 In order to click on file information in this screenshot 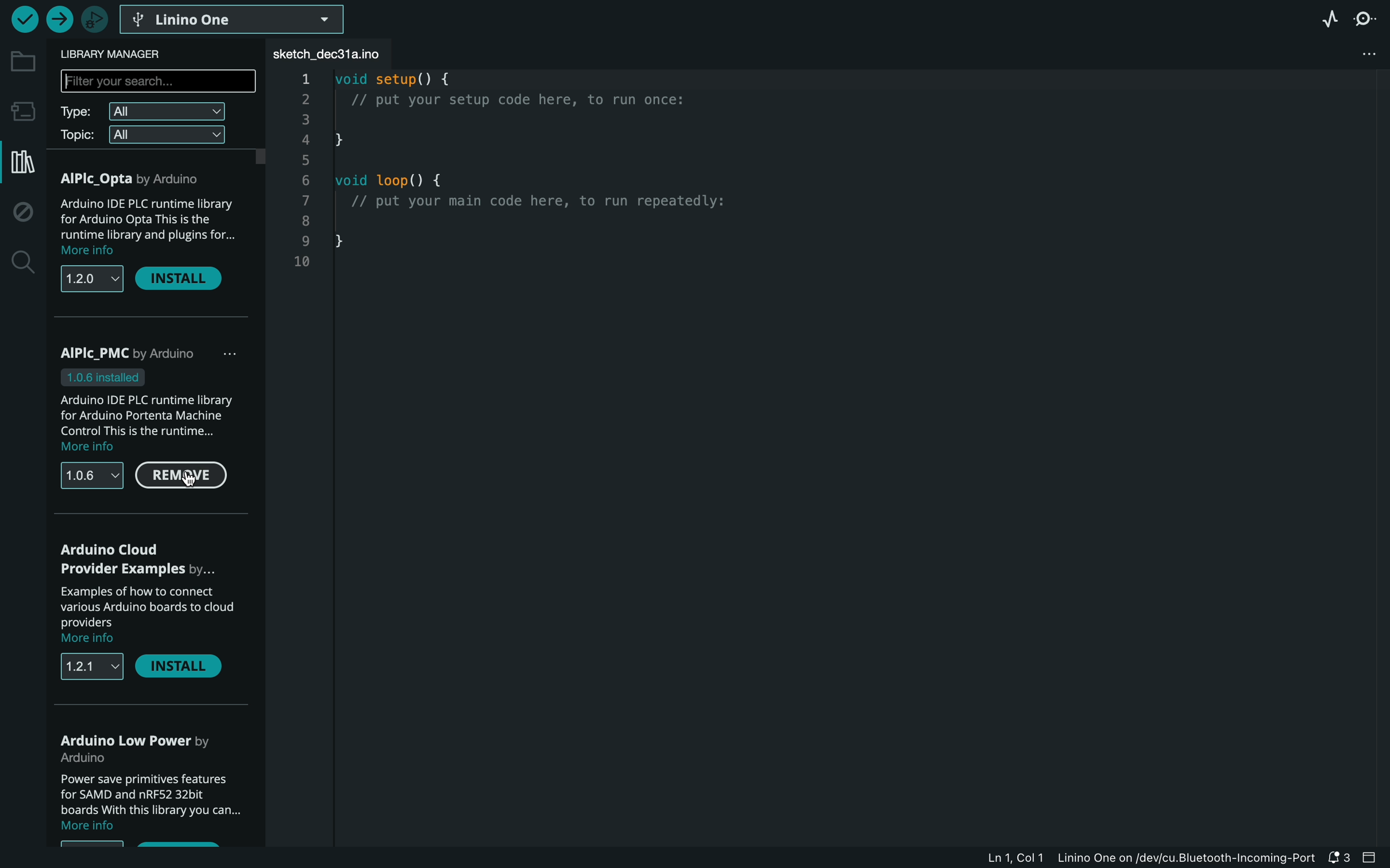, I will do `click(1096, 859)`.